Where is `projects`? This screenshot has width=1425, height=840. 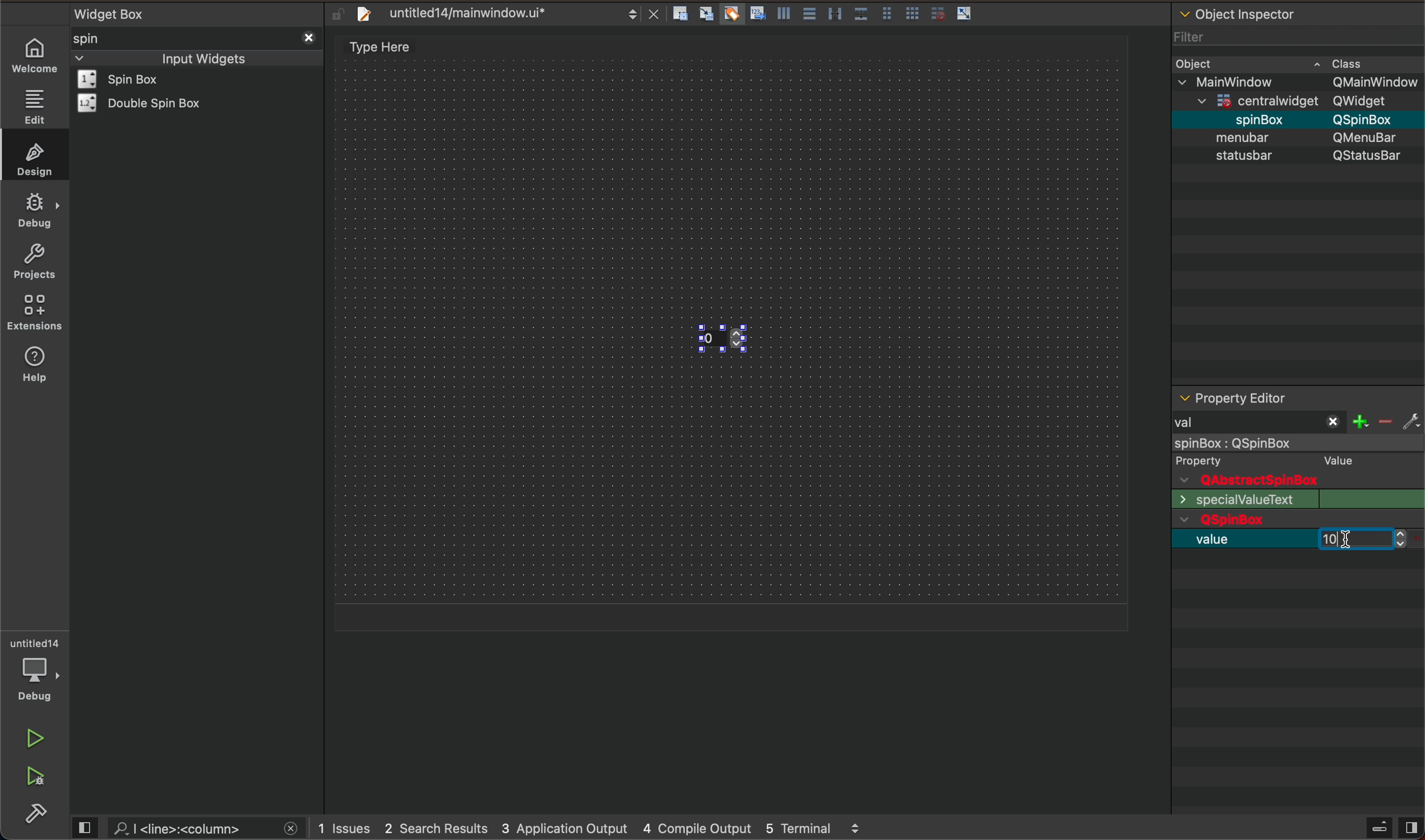
projects is located at coordinates (33, 261).